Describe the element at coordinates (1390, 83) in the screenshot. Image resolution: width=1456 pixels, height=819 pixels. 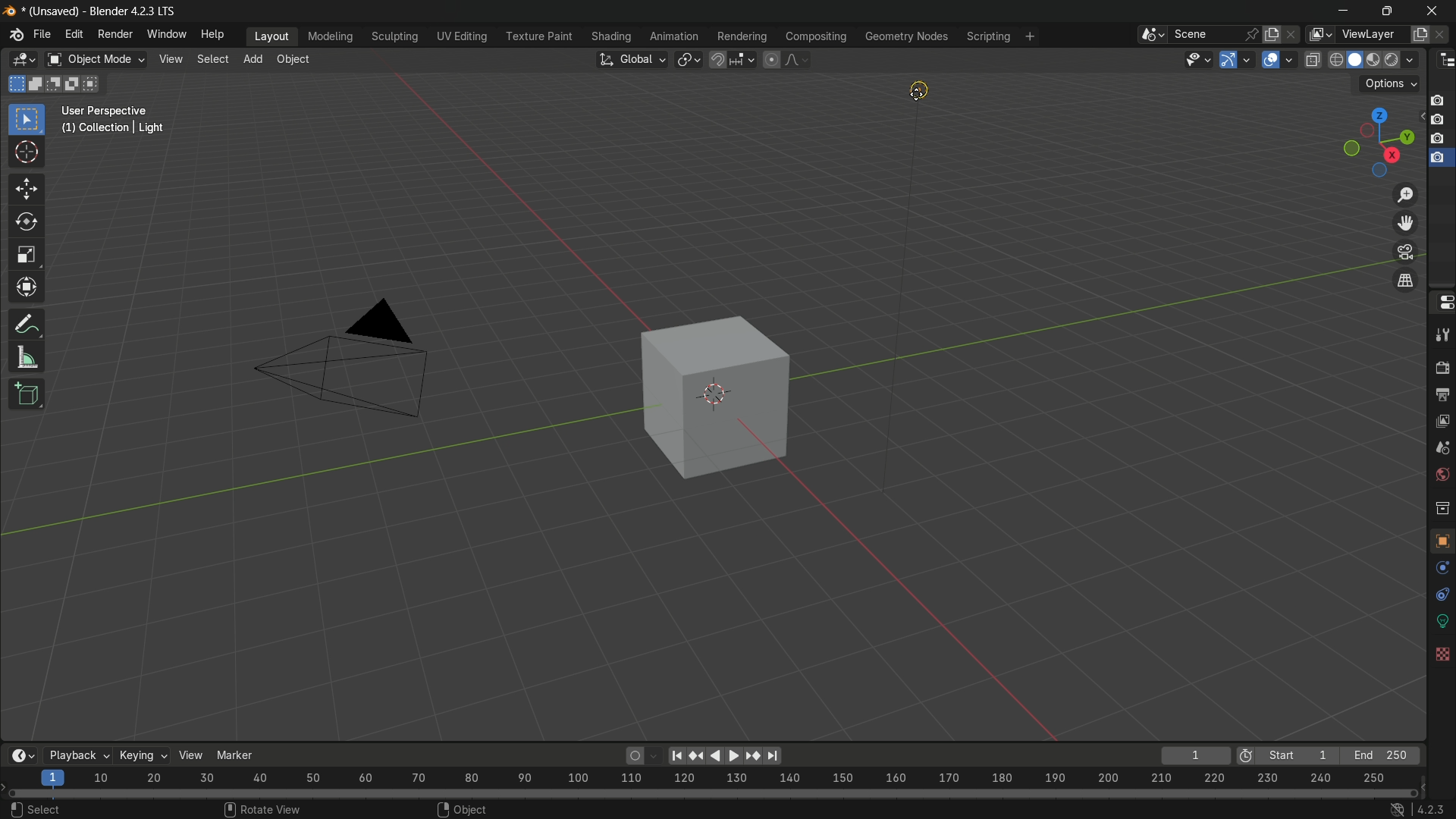
I see `options` at that location.